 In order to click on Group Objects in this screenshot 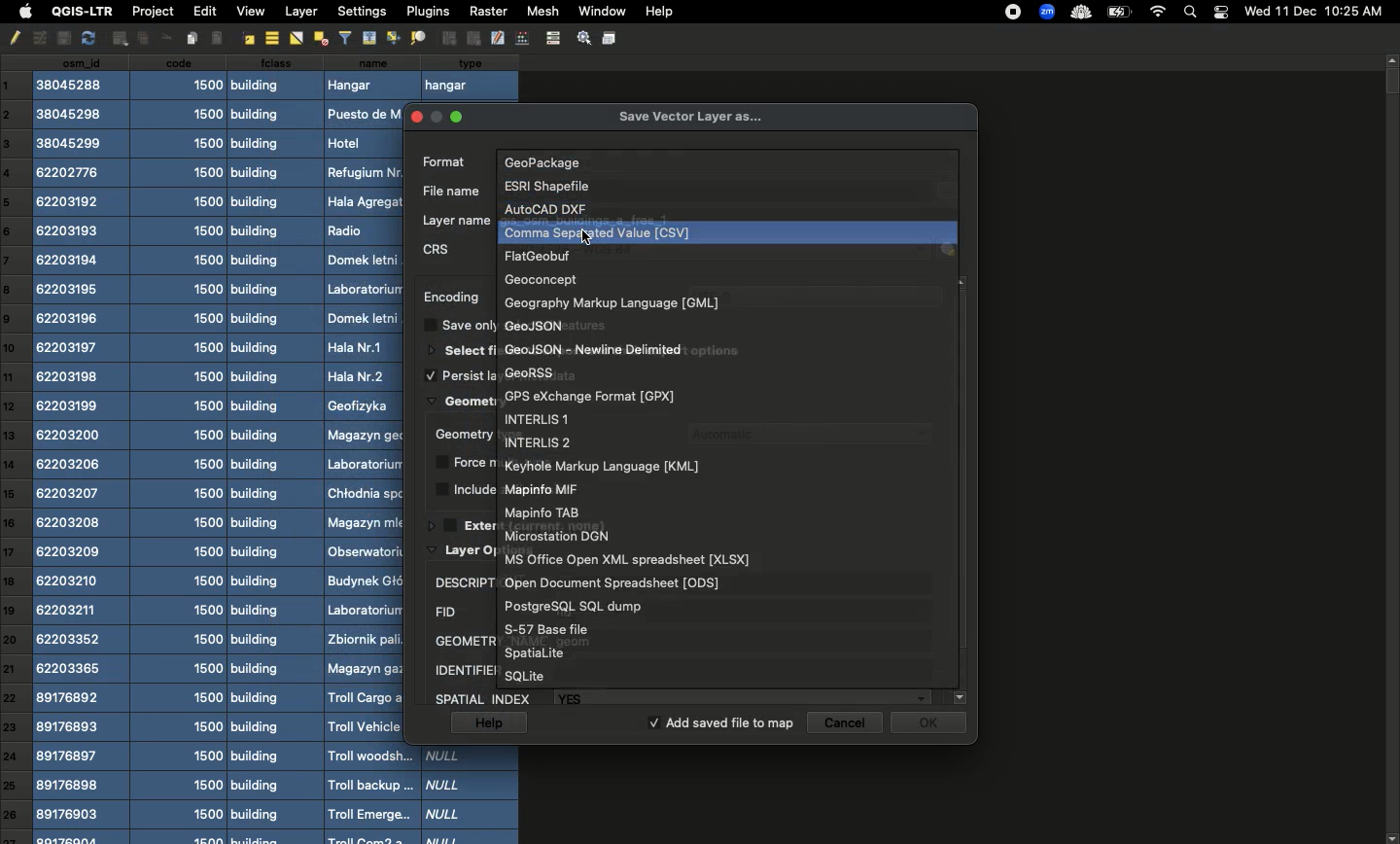, I will do `click(448, 38)`.